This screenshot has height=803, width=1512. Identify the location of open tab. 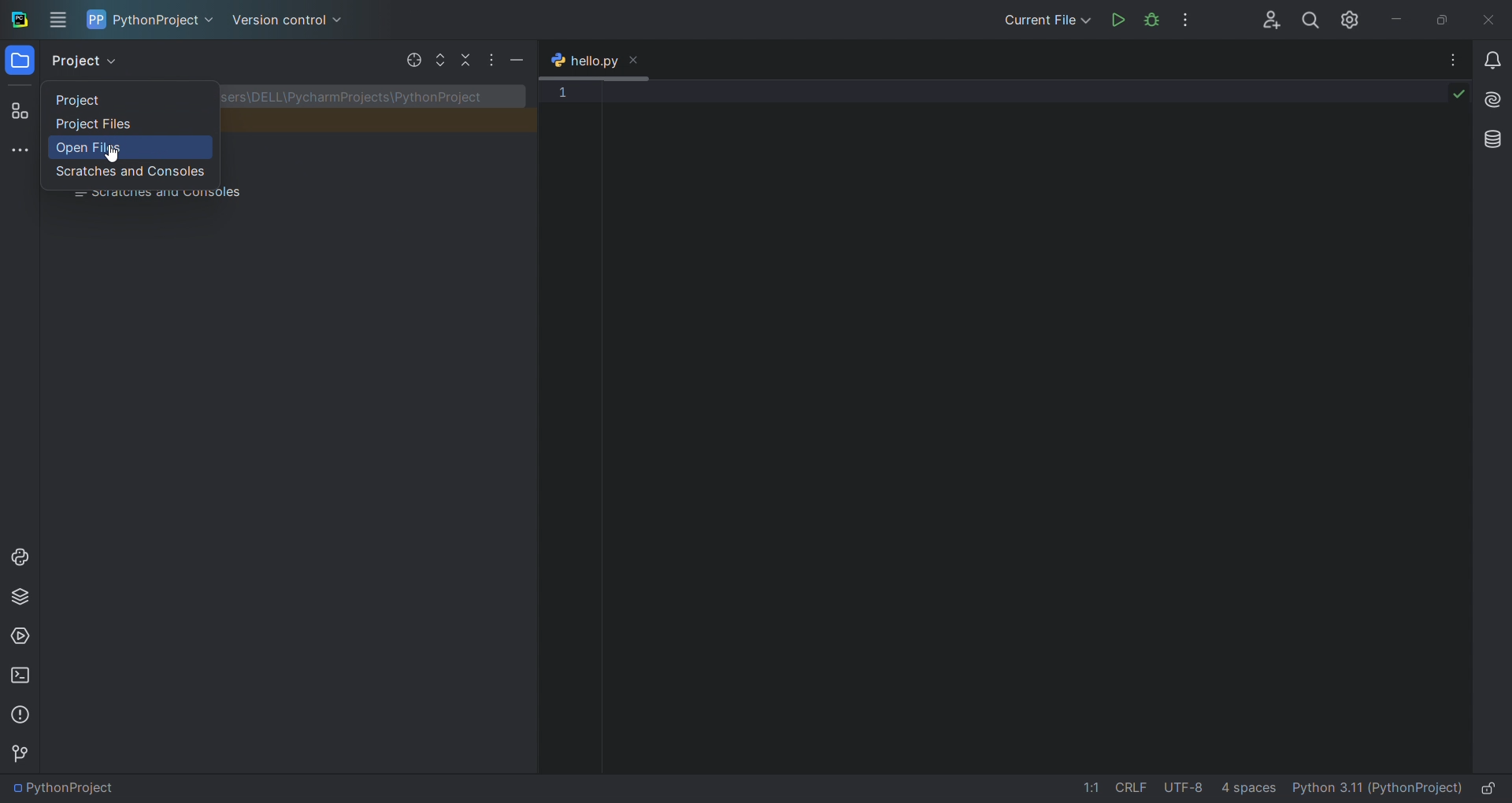
(602, 60).